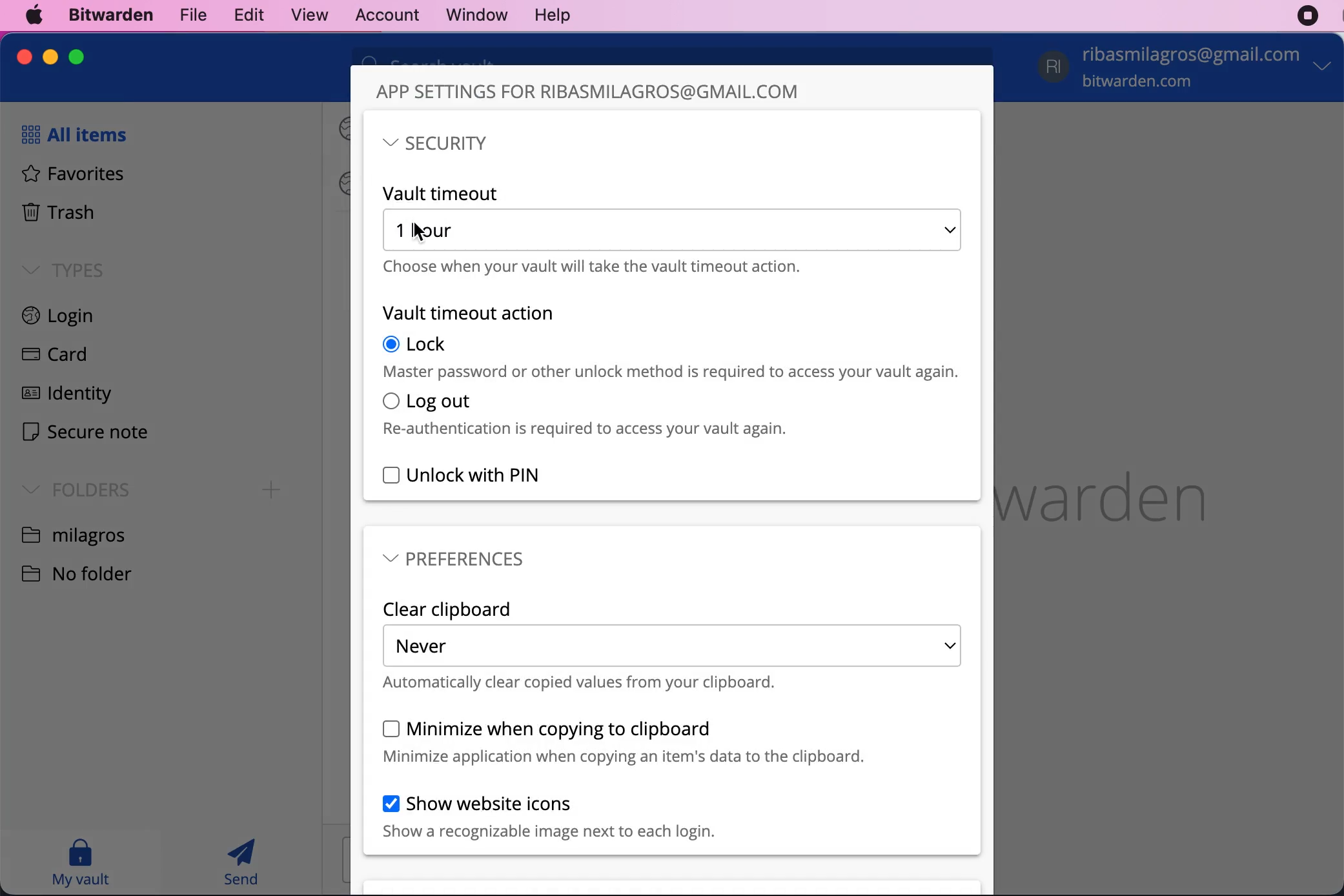 Image resolution: width=1344 pixels, height=896 pixels. I want to click on minimize, so click(50, 57).